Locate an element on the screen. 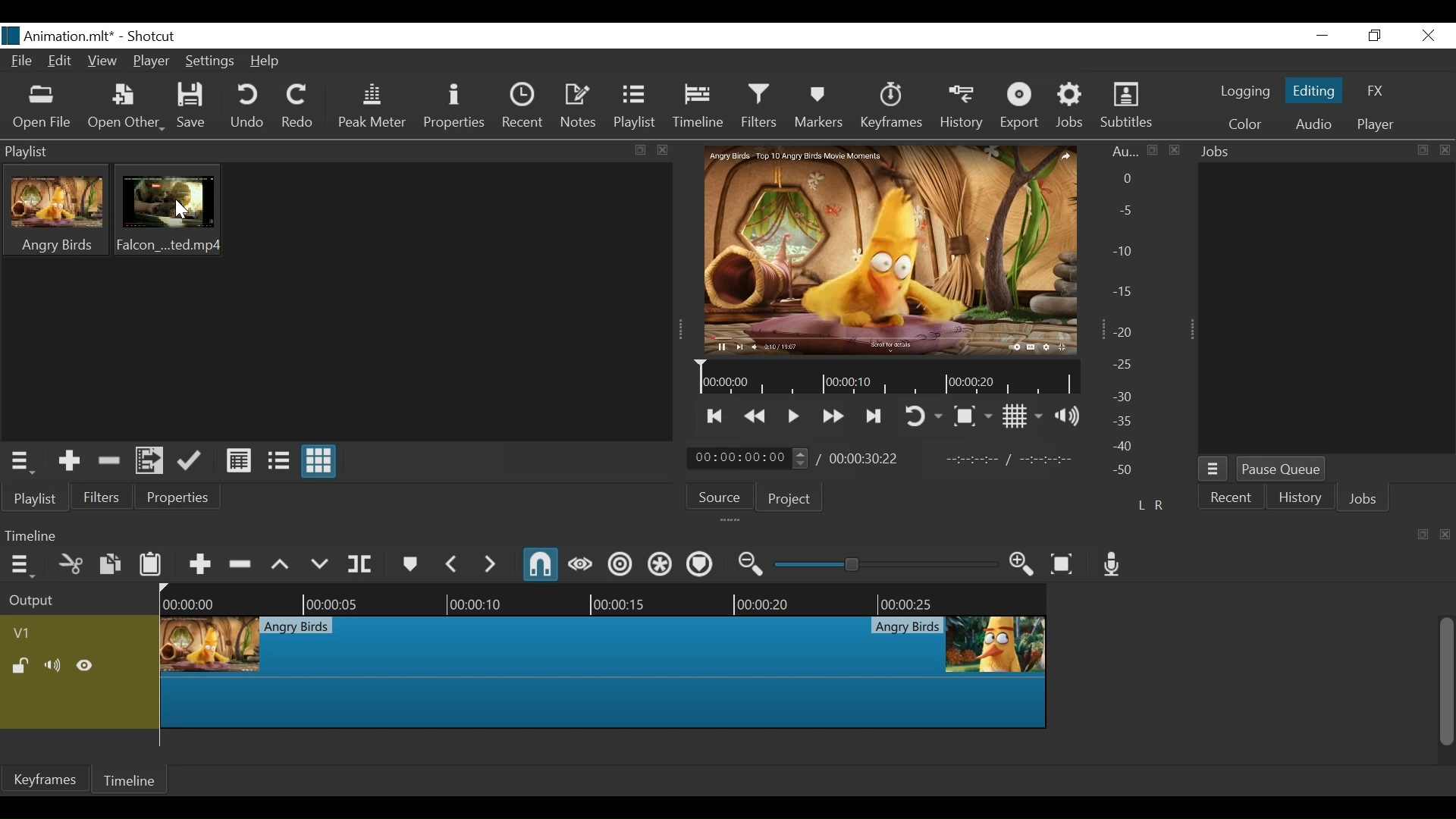 This screenshot has height=819, width=1456. Ripple  is located at coordinates (621, 565).